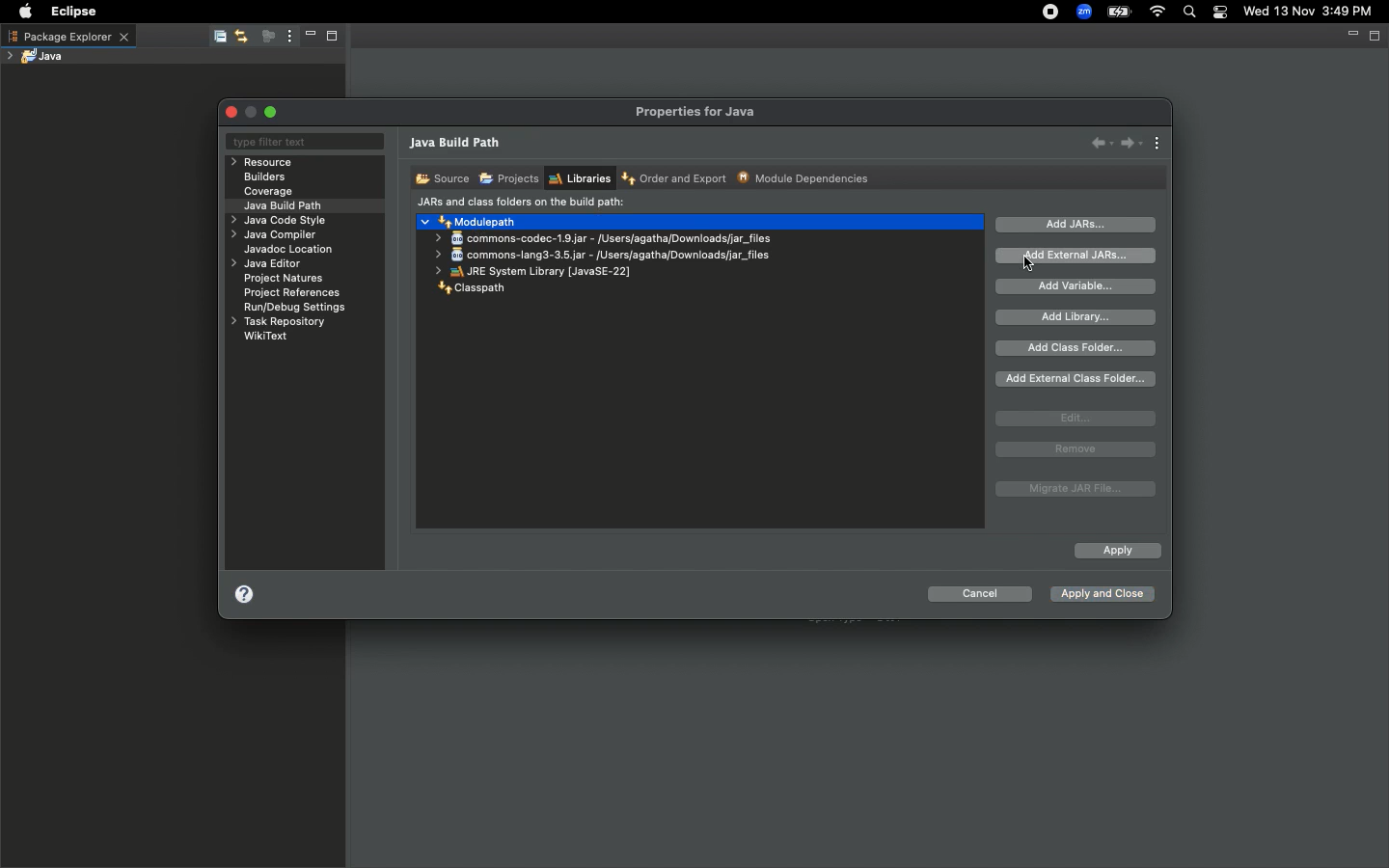 This screenshot has height=868, width=1389. What do you see at coordinates (265, 177) in the screenshot?
I see `Builders` at bounding box center [265, 177].